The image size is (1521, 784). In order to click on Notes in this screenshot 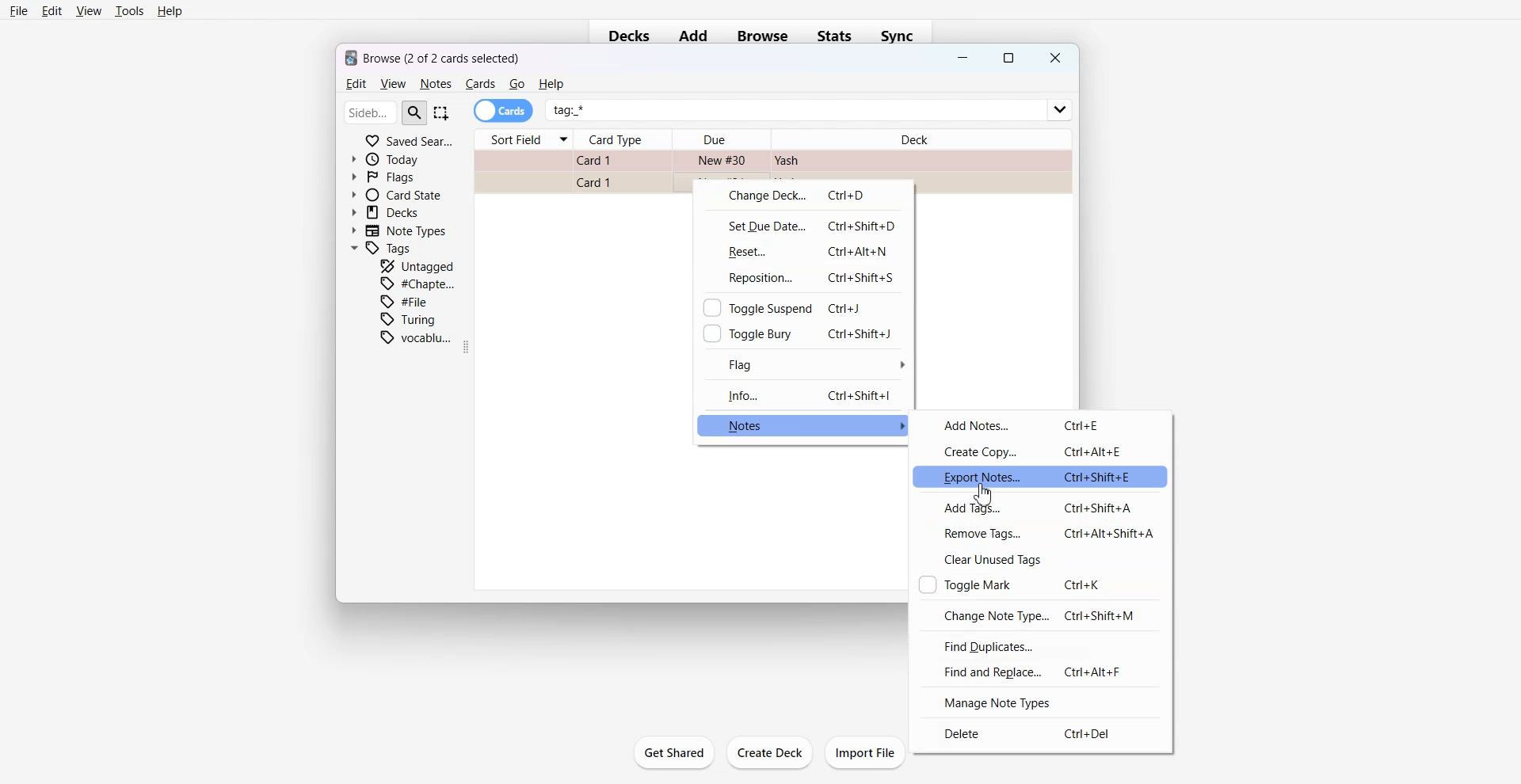, I will do `click(804, 425)`.